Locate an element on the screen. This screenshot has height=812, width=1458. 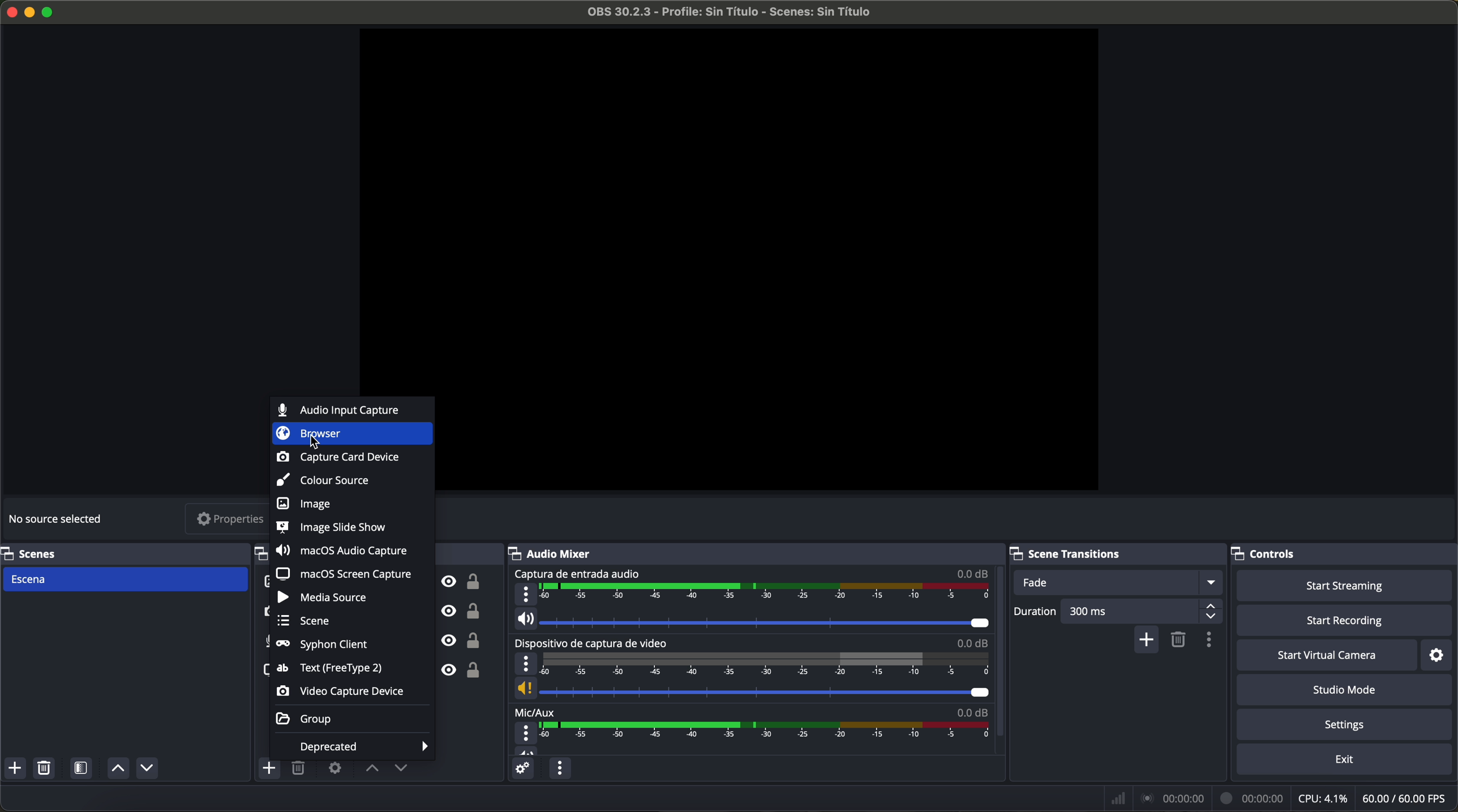
click on browser is located at coordinates (352, 435).